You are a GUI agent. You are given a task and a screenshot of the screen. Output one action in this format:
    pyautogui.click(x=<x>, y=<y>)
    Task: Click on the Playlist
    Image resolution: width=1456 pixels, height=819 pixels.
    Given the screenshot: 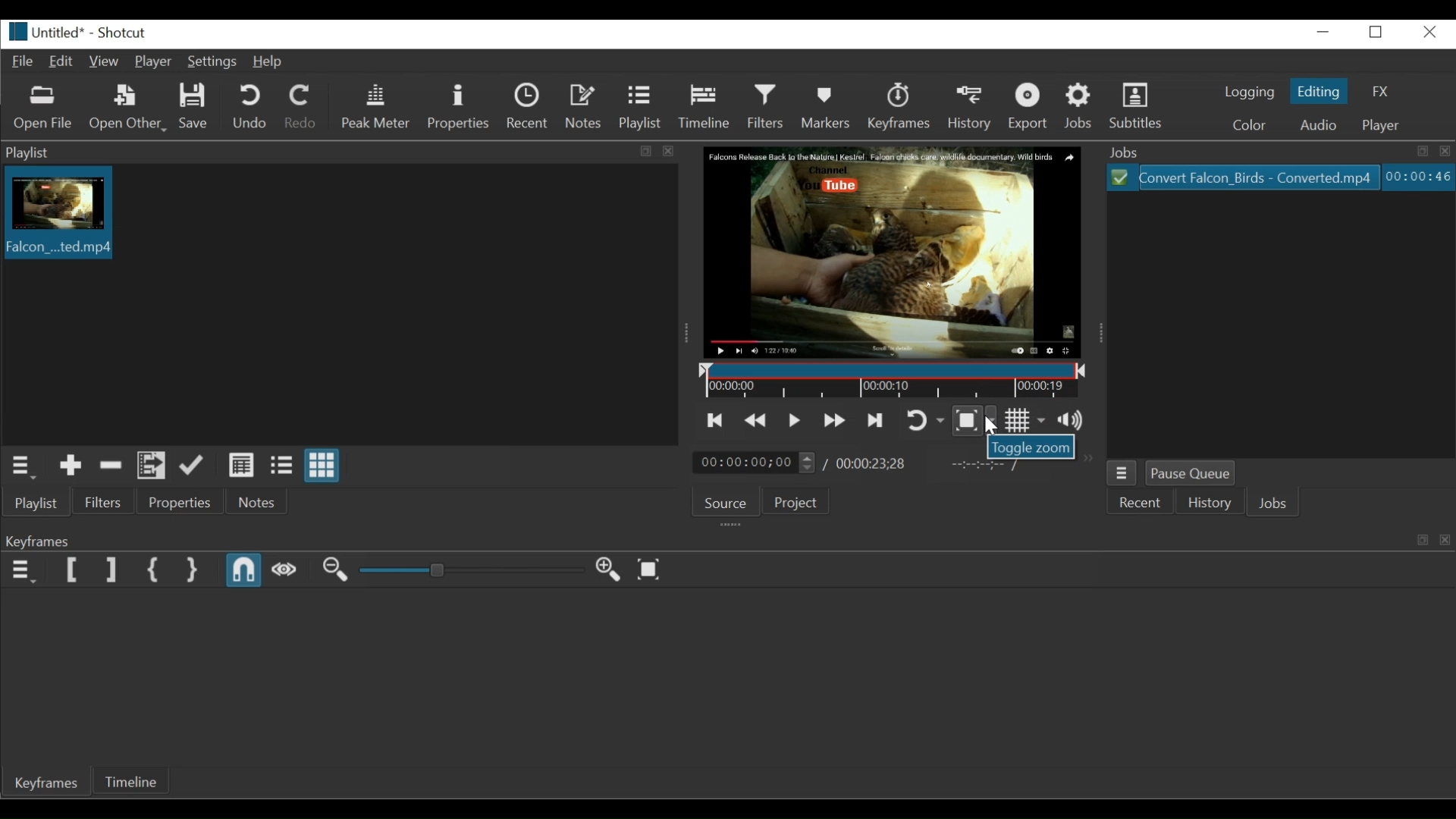 What is the action you would take?
    pyautogui.click(x=640, y=107)
    